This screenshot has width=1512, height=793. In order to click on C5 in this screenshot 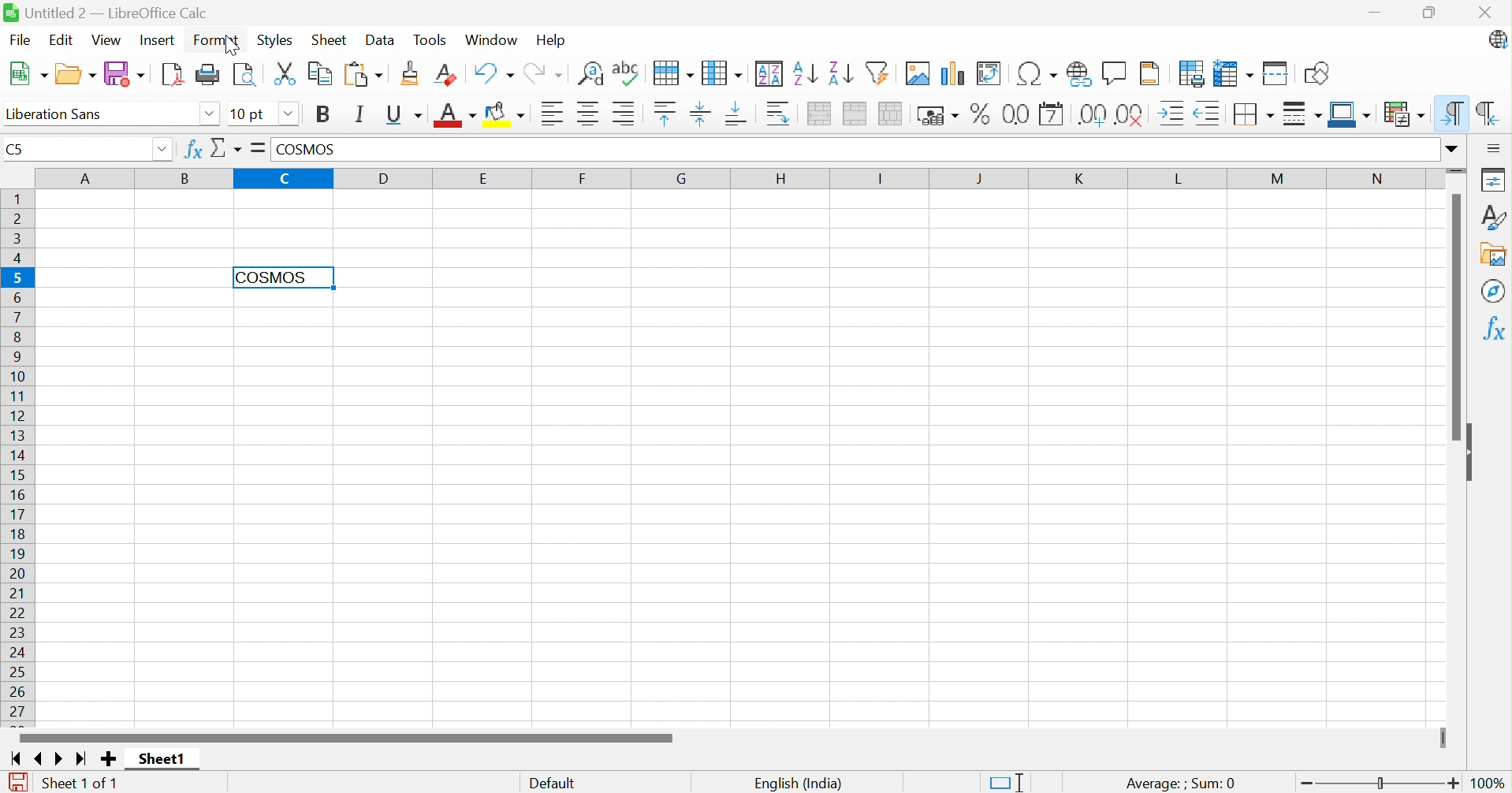, I will do `click(17, 150)`.